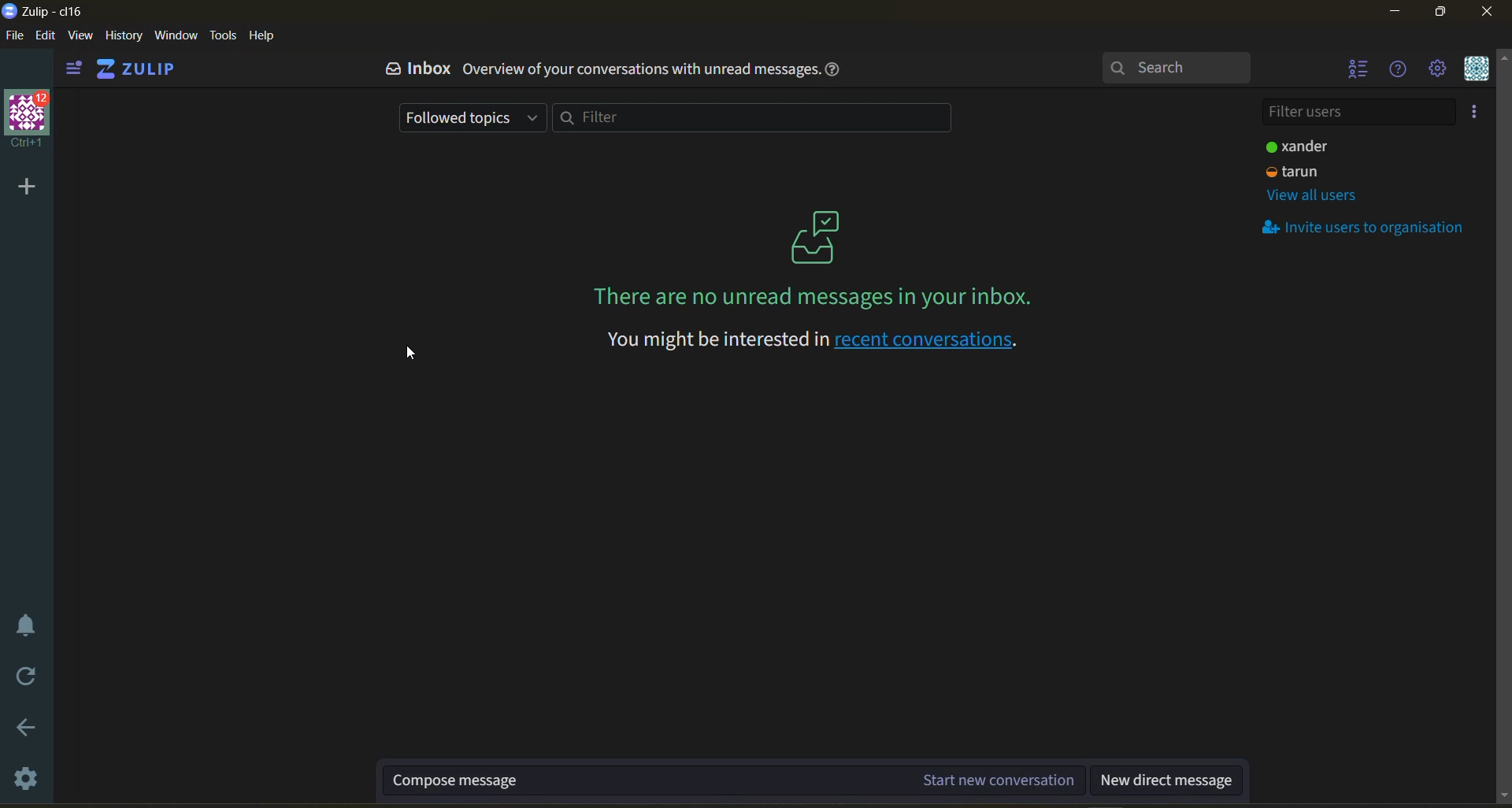 Image resolution: width=1512 pixels, height=808 pixels. I want to click on window, so click(176, 37).